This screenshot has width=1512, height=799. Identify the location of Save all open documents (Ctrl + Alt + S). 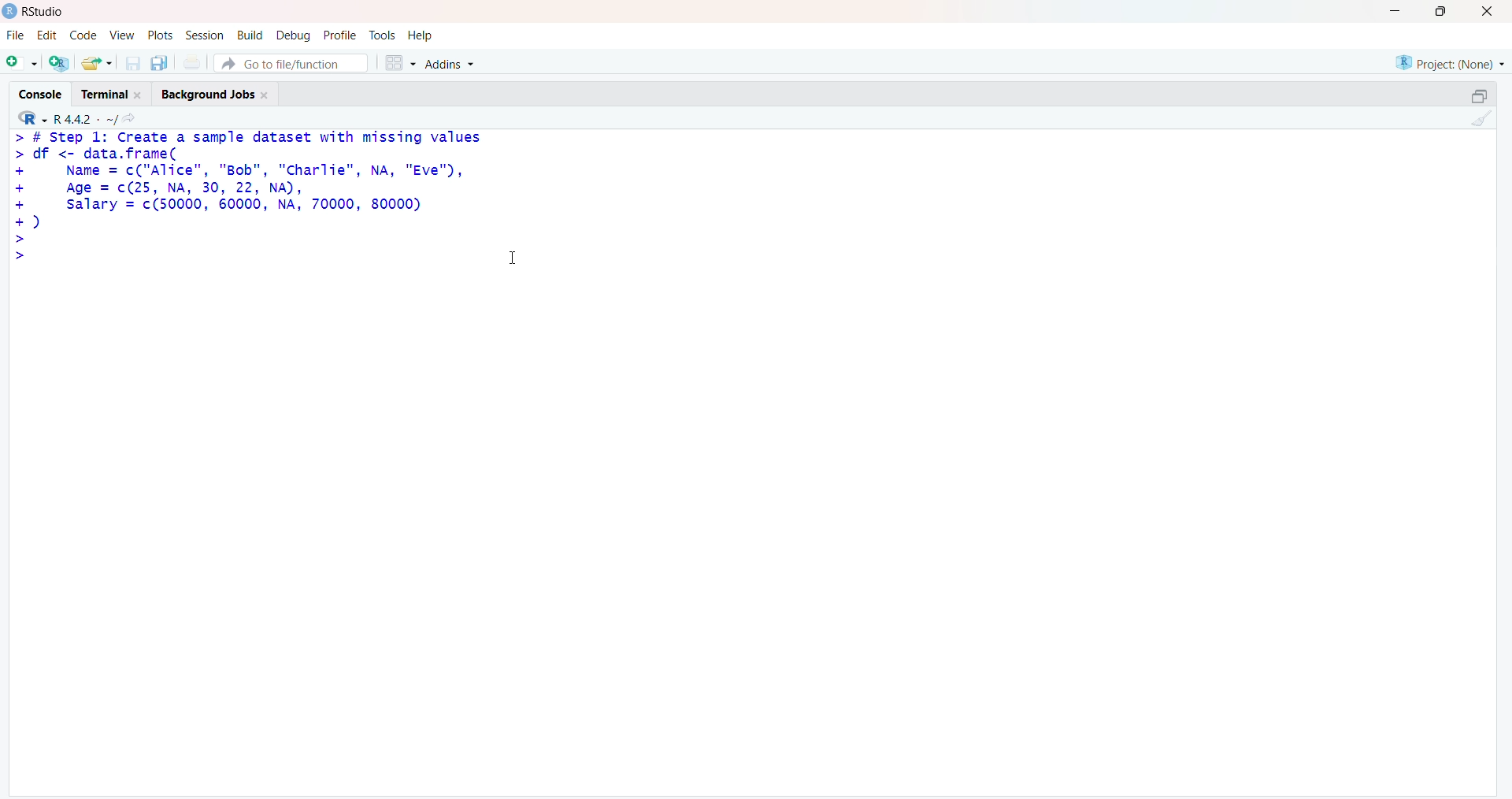
(160, 63).